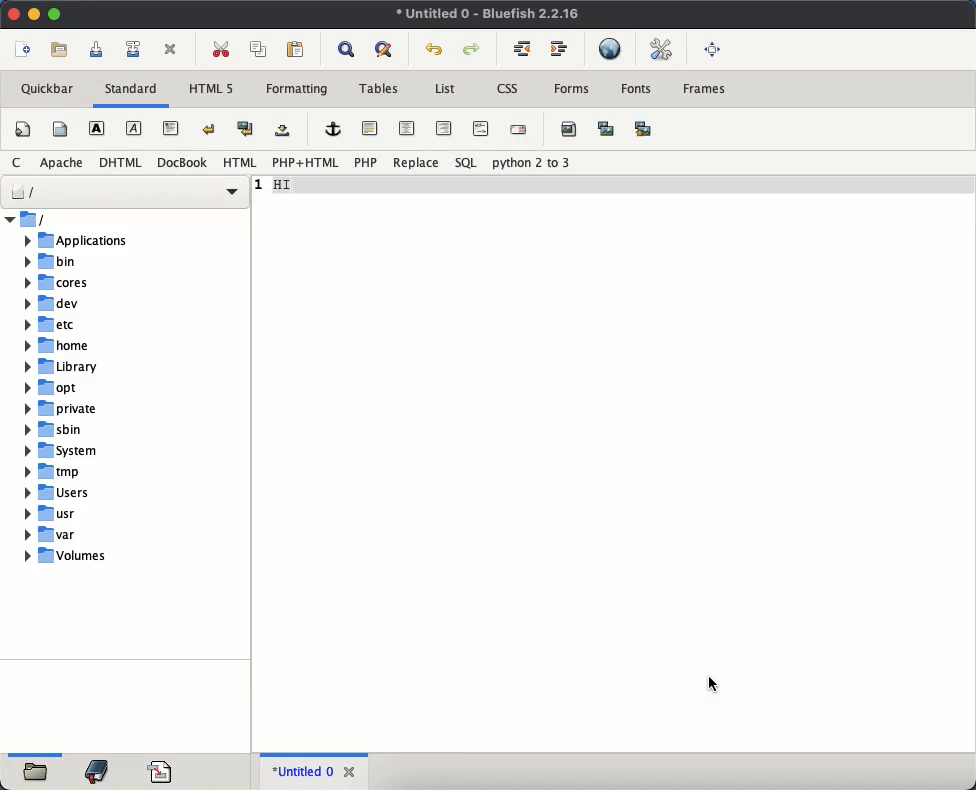 This screenshot has width=976, height=790. Describe the element at coordinates (489, 15) in the screenshot. I see `untitled 0 - bluefish` at that location.